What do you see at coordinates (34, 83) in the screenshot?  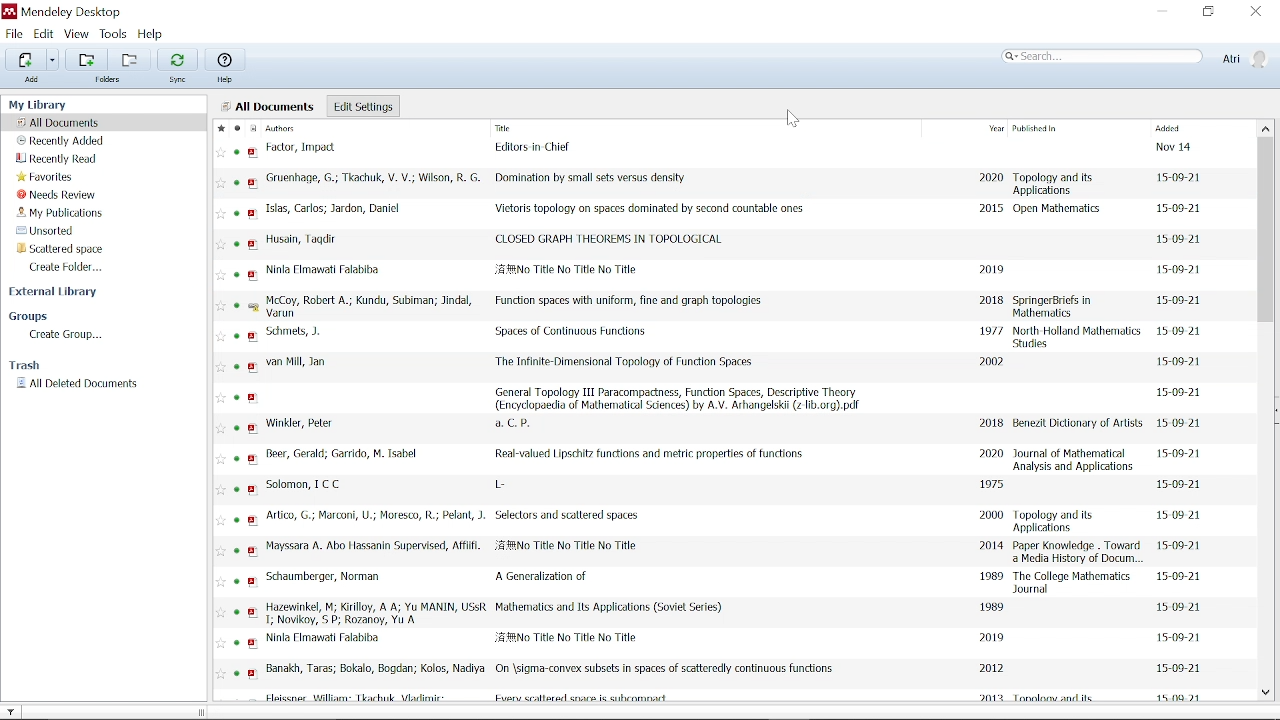 I see `Add` at bounding box center [34, 83].